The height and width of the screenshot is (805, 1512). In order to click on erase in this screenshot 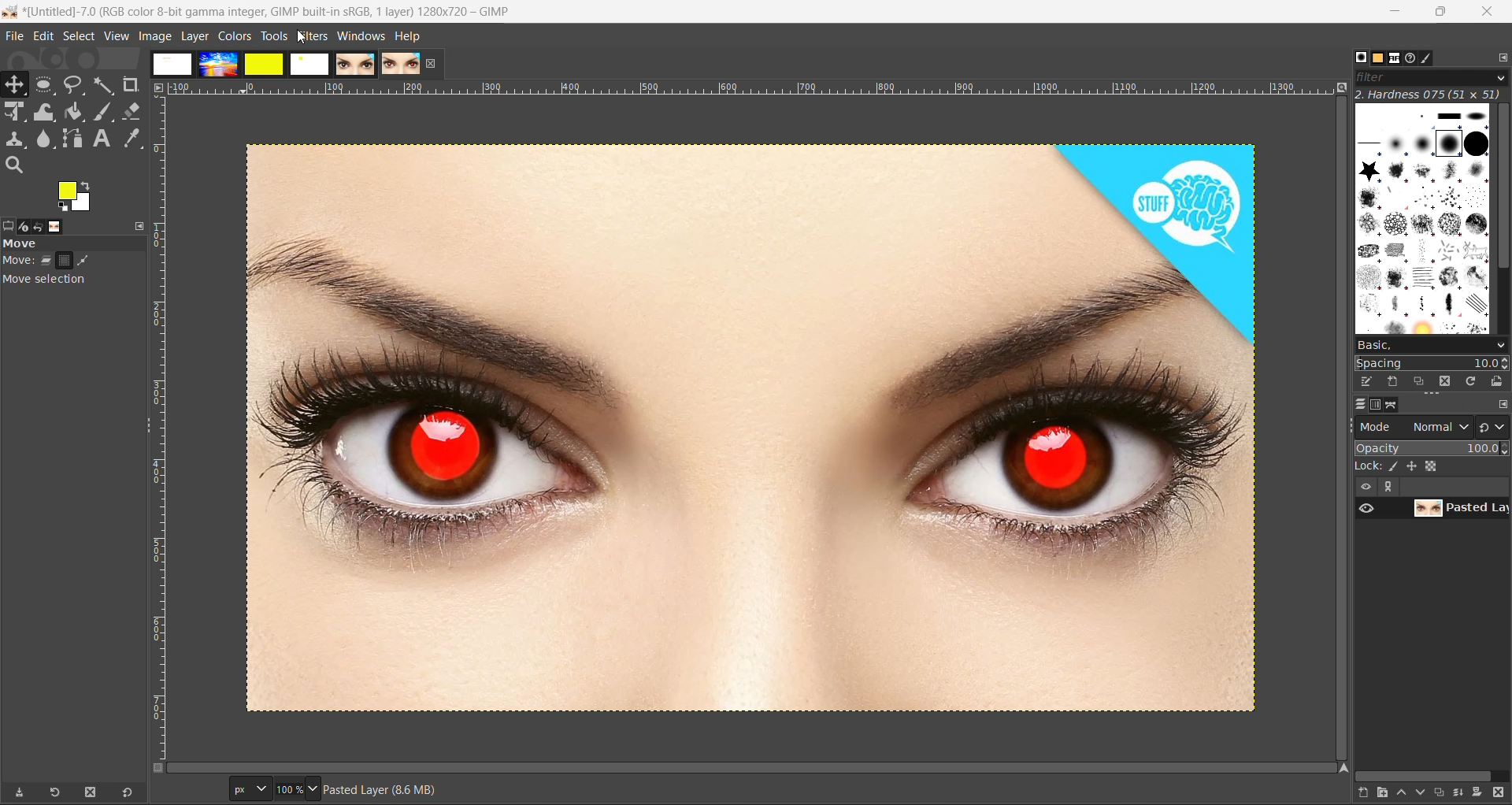, I will do `click(133, 111)`.